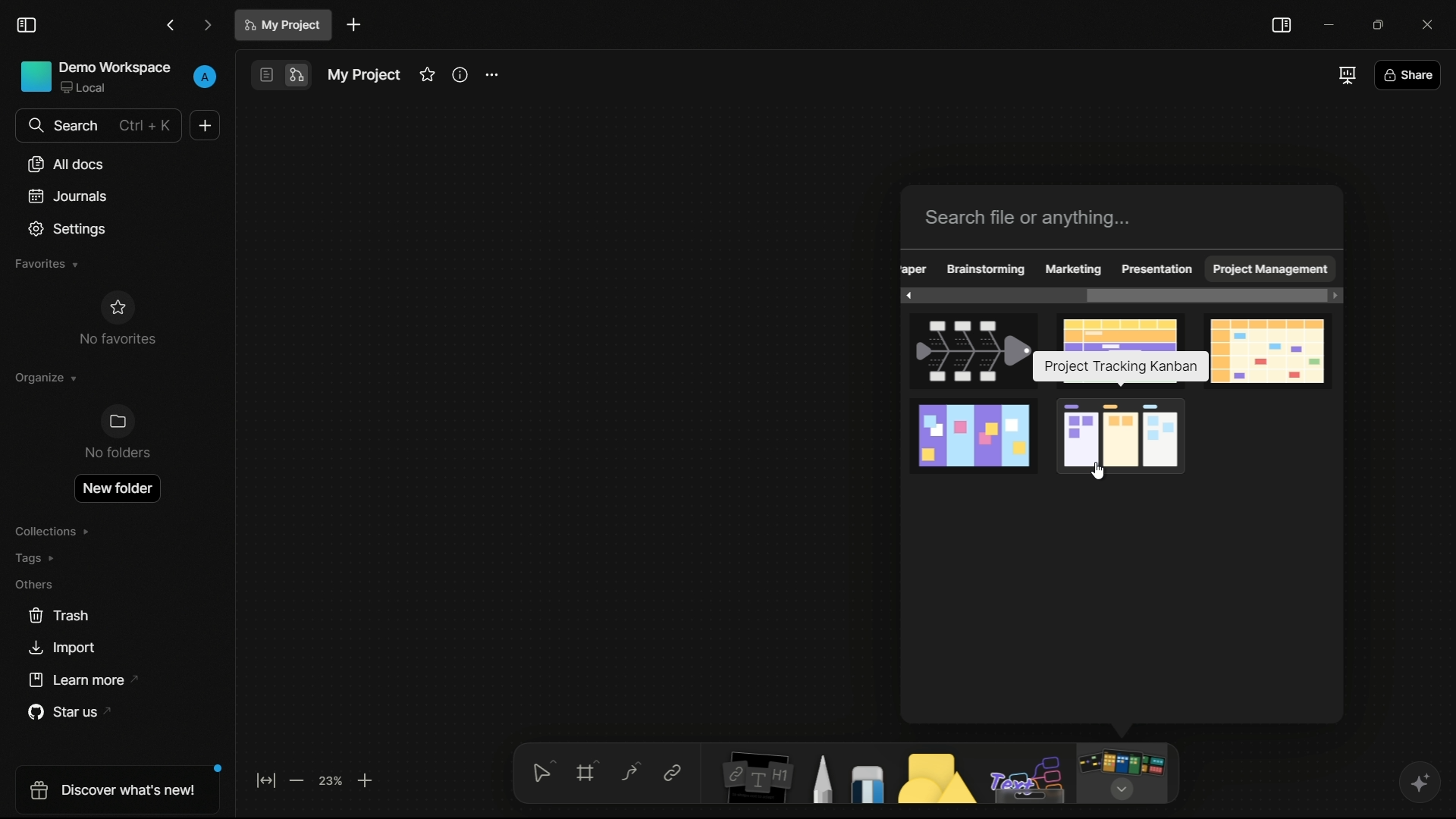  Describe the element at coordinates (1202, 294) in the screenshot. I see `scroll bar` at that location.